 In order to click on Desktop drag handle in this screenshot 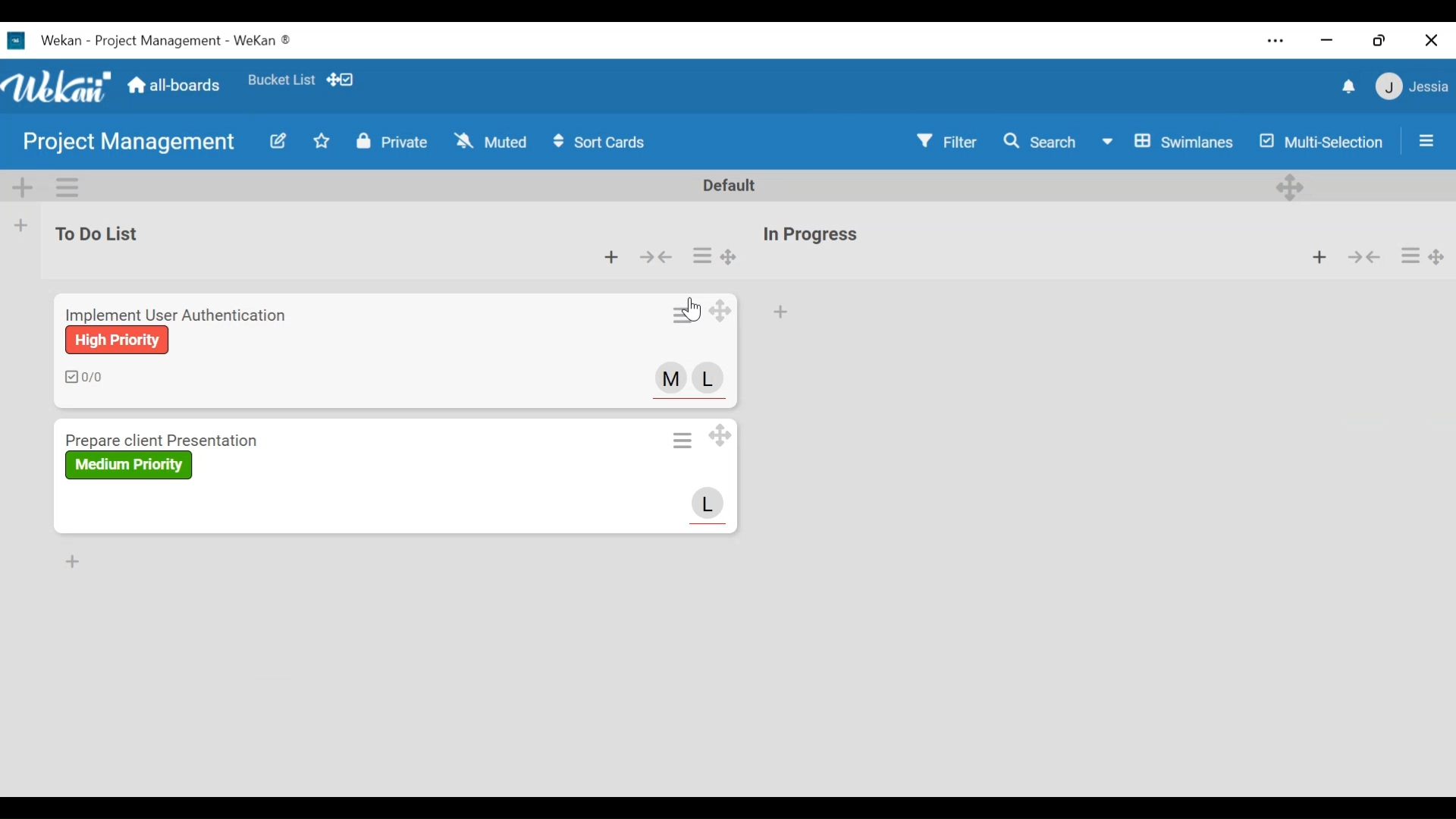, I will do `click(723, 313)`.